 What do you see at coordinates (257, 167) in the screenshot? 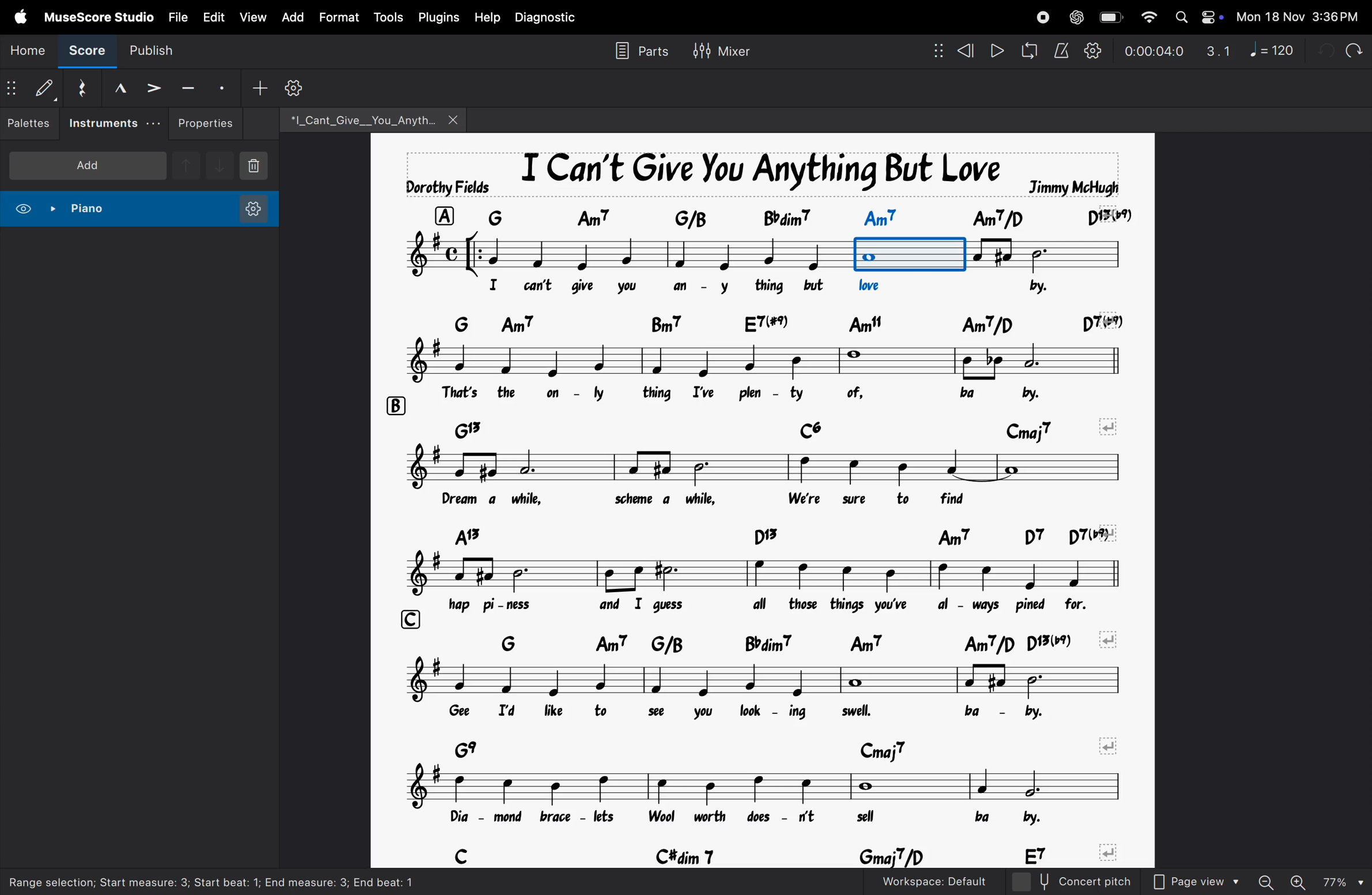
I see `delete` at bounding box center [257, 167].